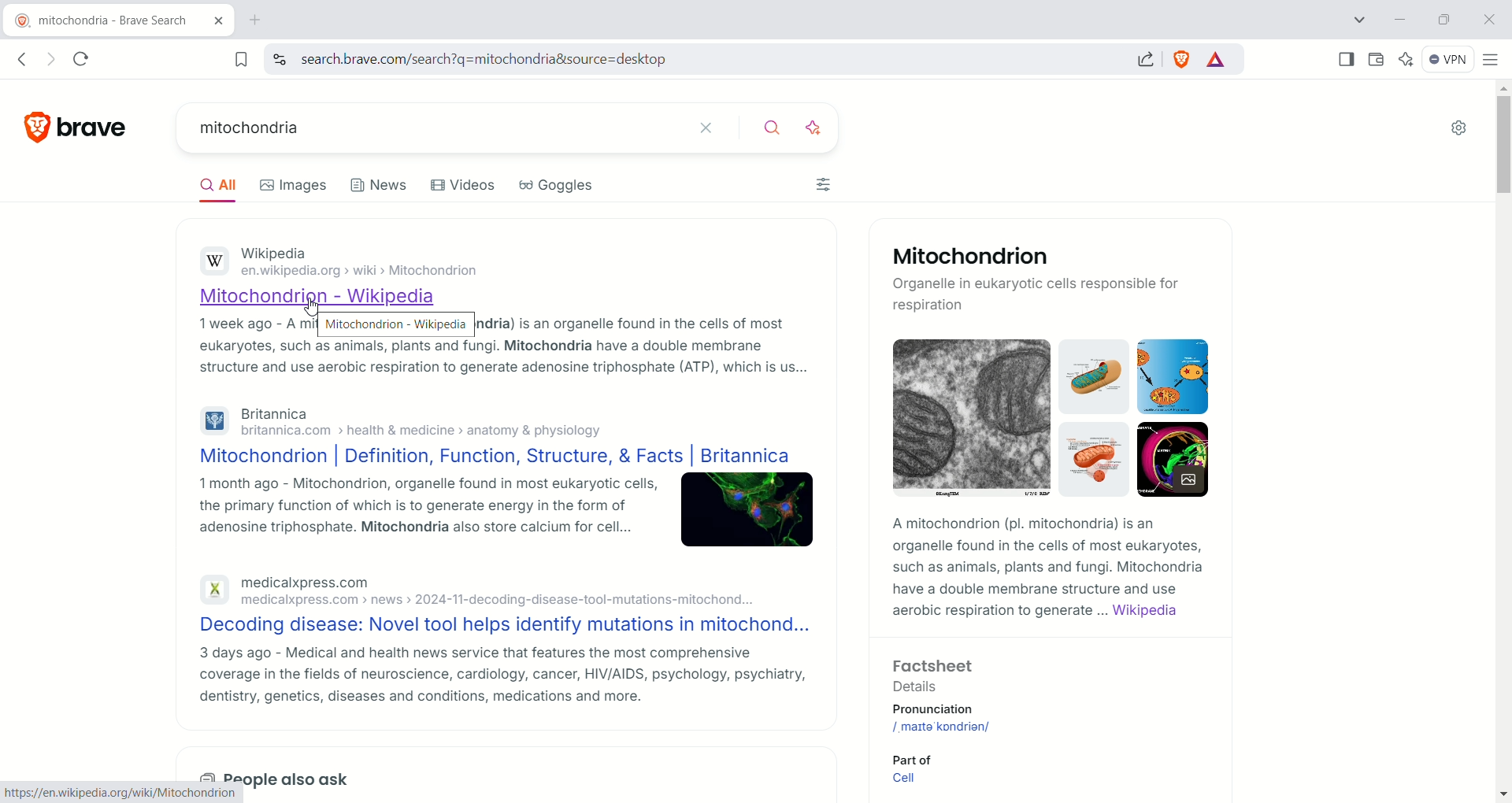 The height and width of the screenshot is (803, 1512). I want to click on Decoding disease: Novel tool helps identify mutations in mitochond..., so click(509, 624).